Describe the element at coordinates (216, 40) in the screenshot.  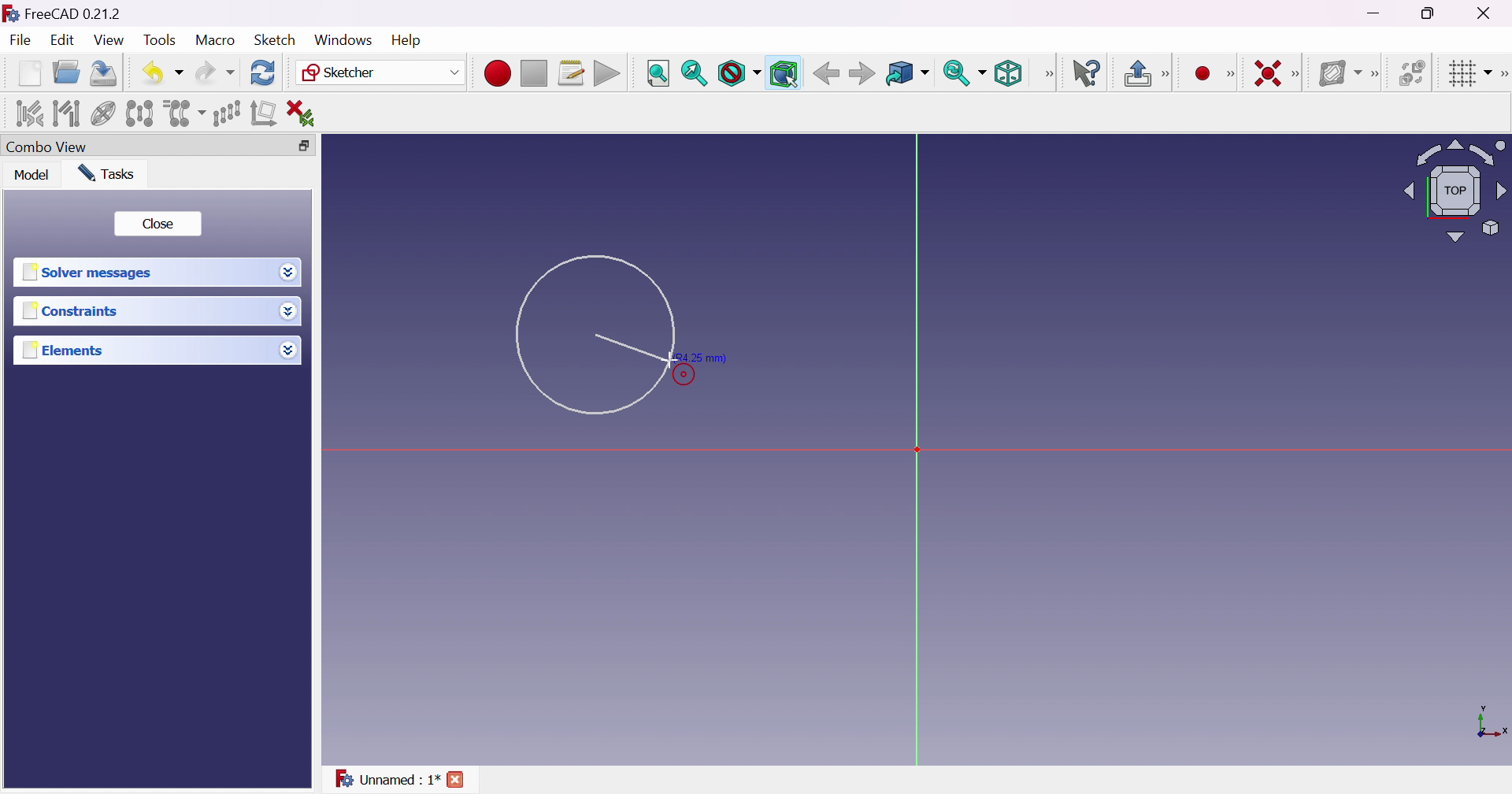
I see `Macro` at that location.